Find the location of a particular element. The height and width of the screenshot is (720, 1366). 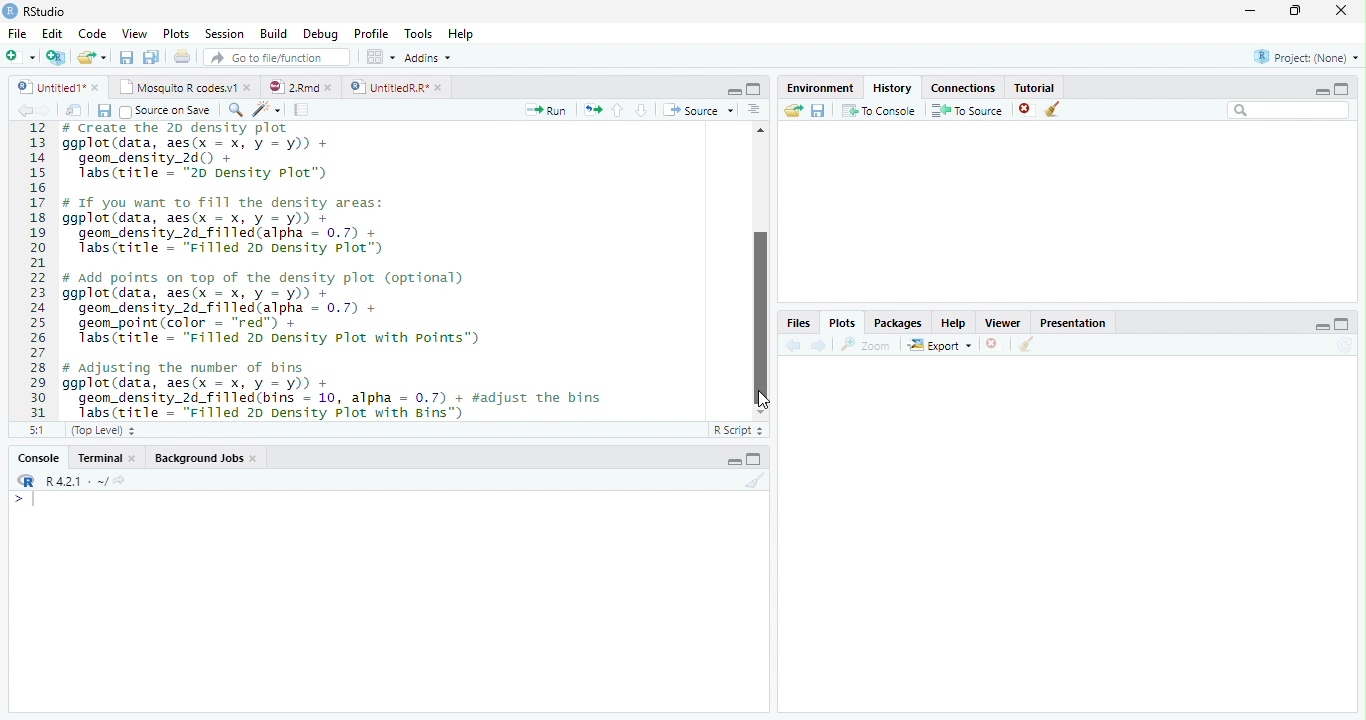

Source on Save is located at coordinates (163, 111).